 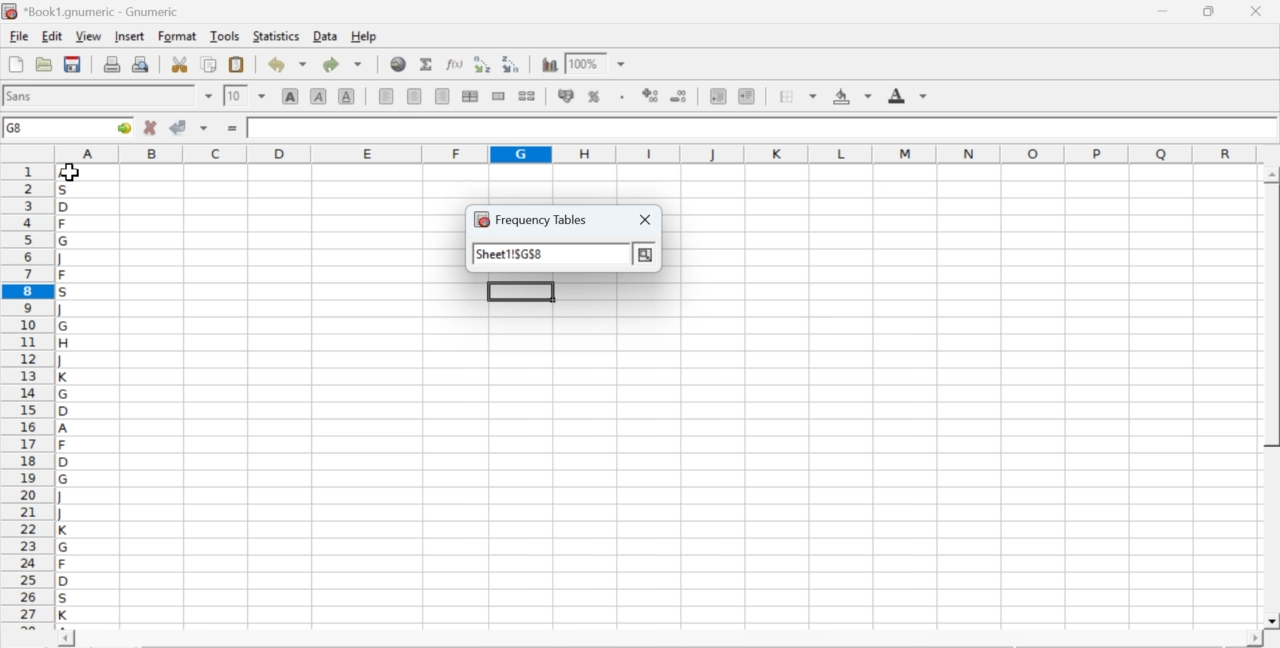 I want to click on view, so click(x=88, y=35).